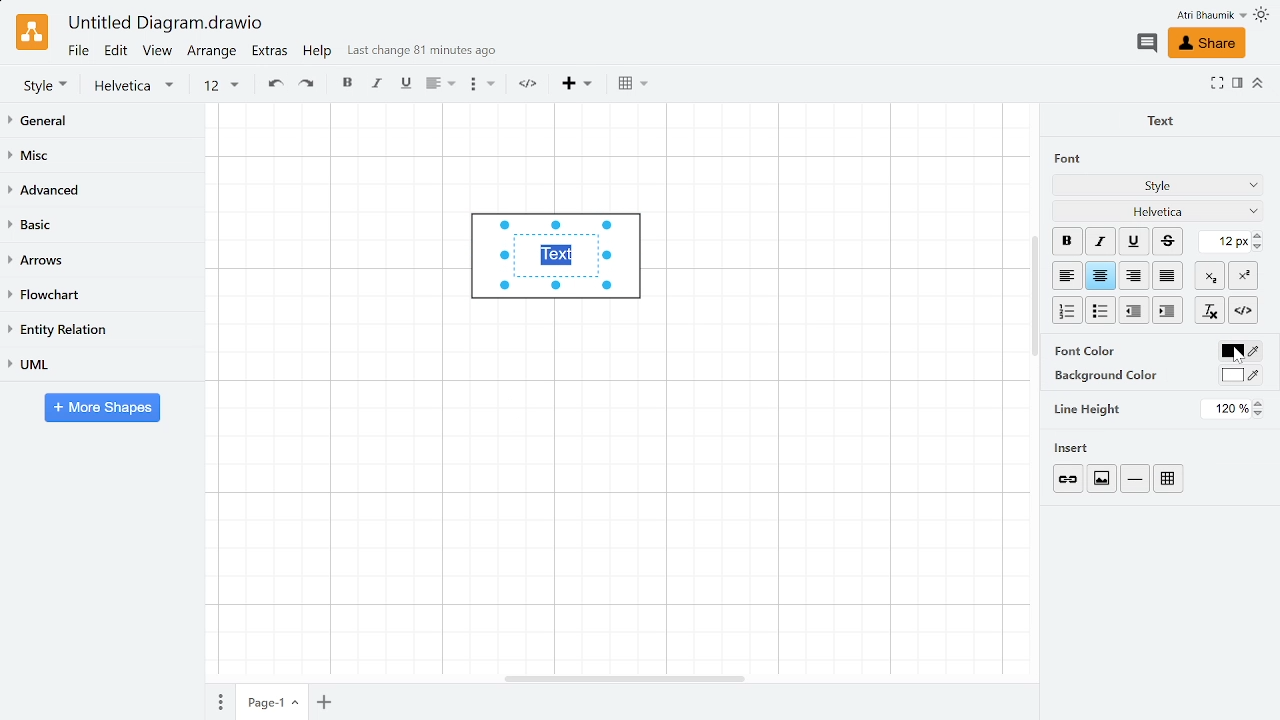 Image resolution: width=1280 pixels, height=720 pixels. I want to click on font size, so click(220, 86).